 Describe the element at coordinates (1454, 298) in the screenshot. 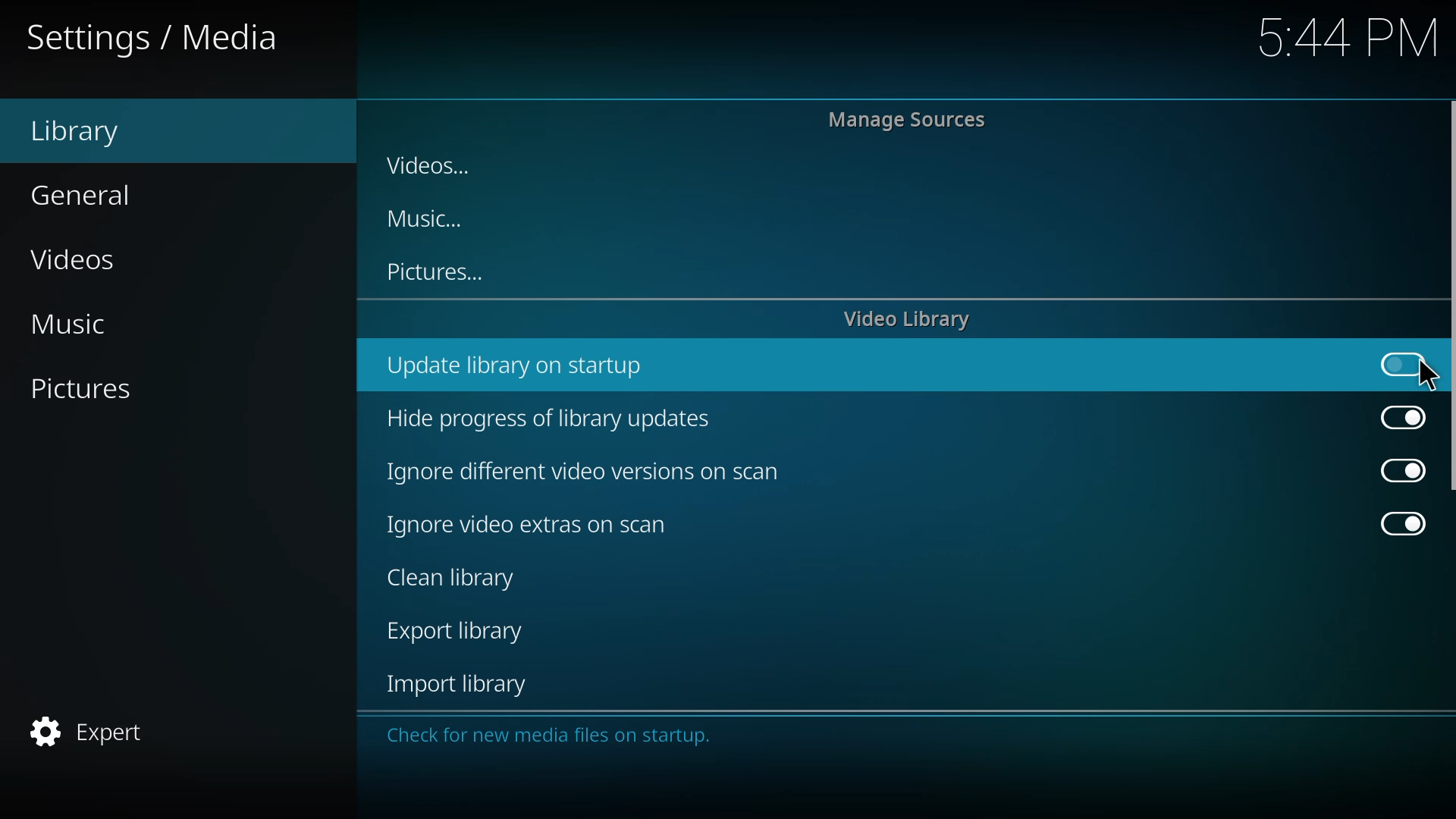

I see `scroll bar` at that location.